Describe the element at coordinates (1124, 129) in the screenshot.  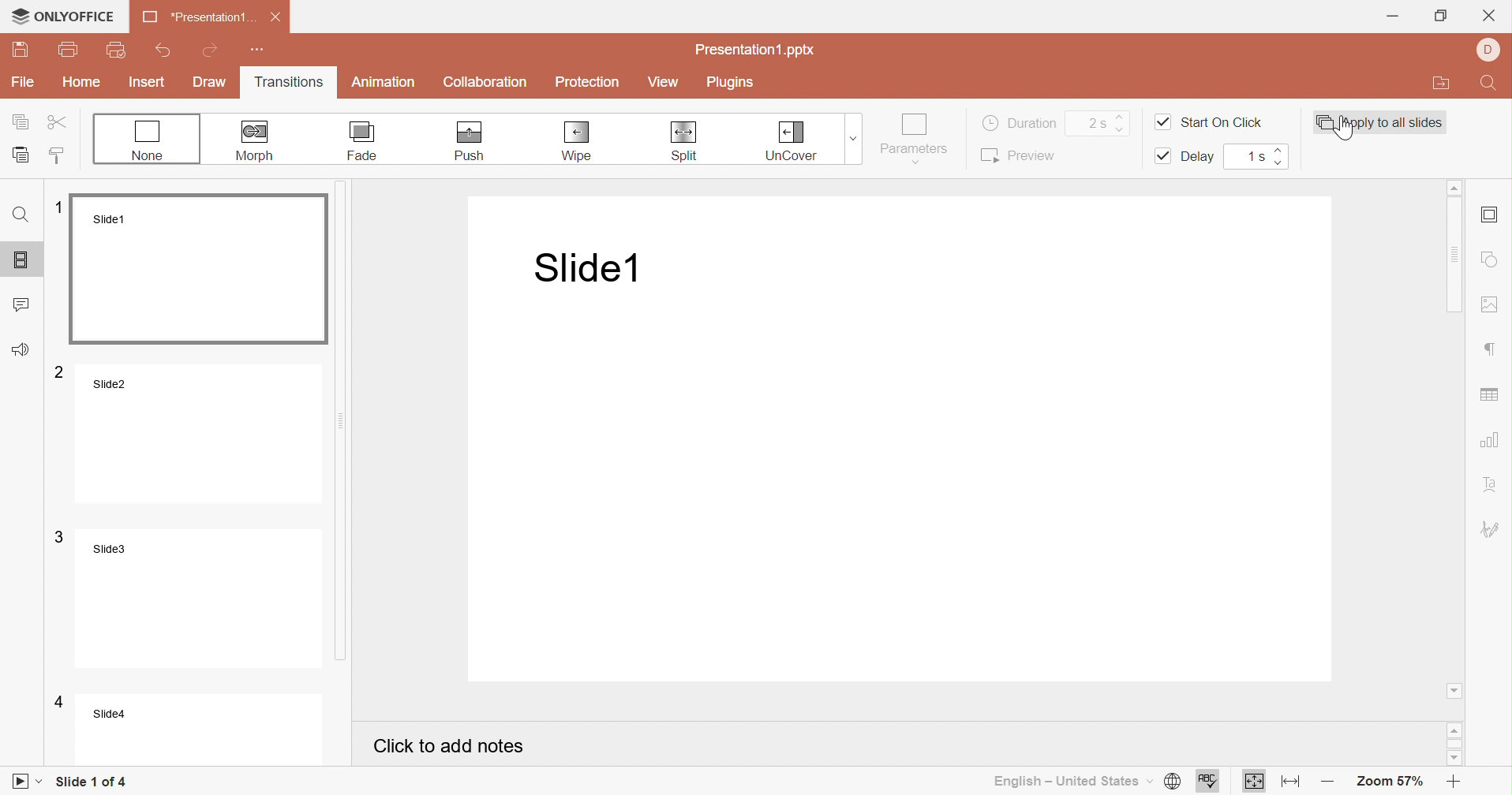
I see `Decrease duration` at that location.